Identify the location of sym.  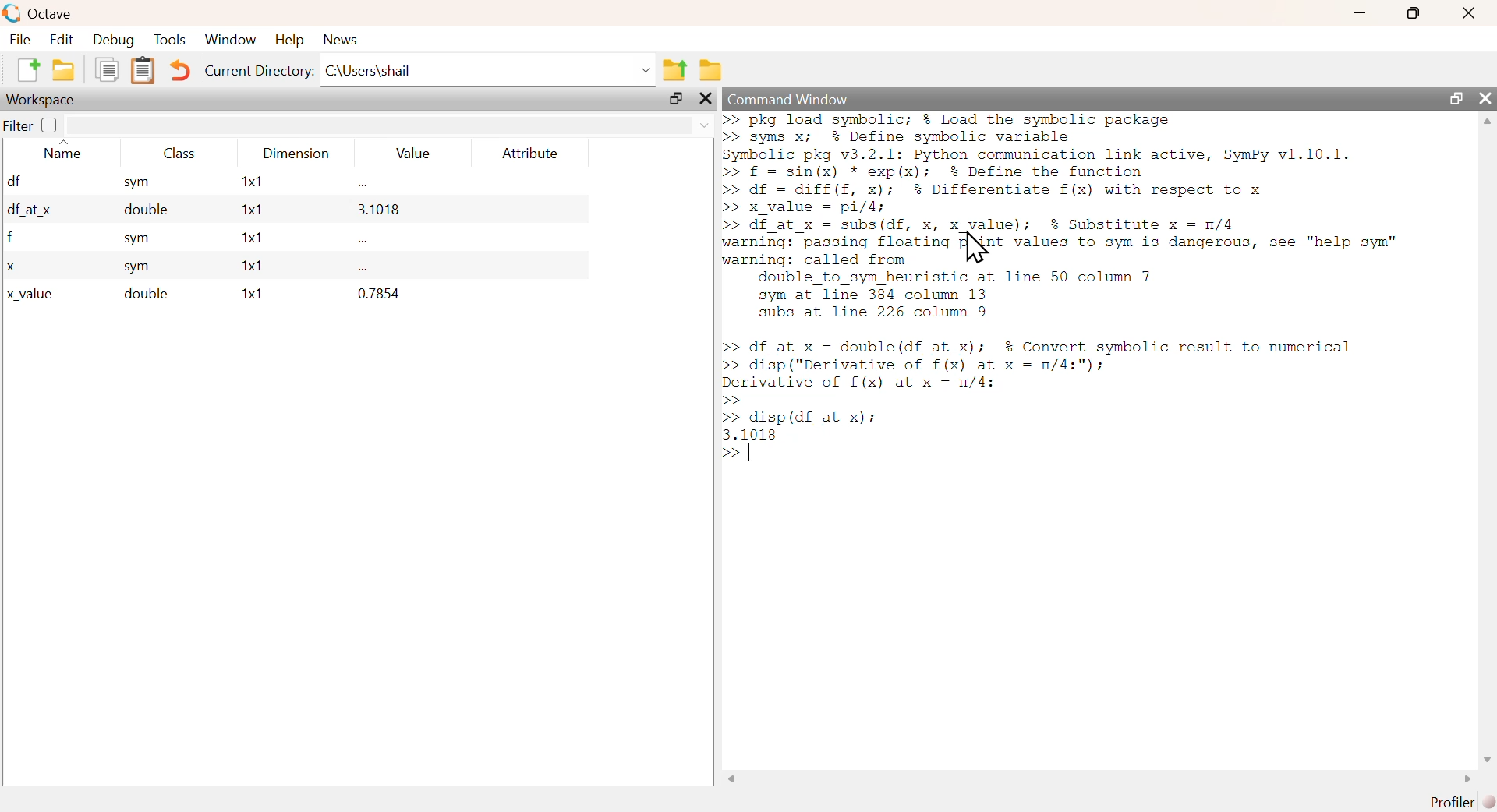
(138, 240).